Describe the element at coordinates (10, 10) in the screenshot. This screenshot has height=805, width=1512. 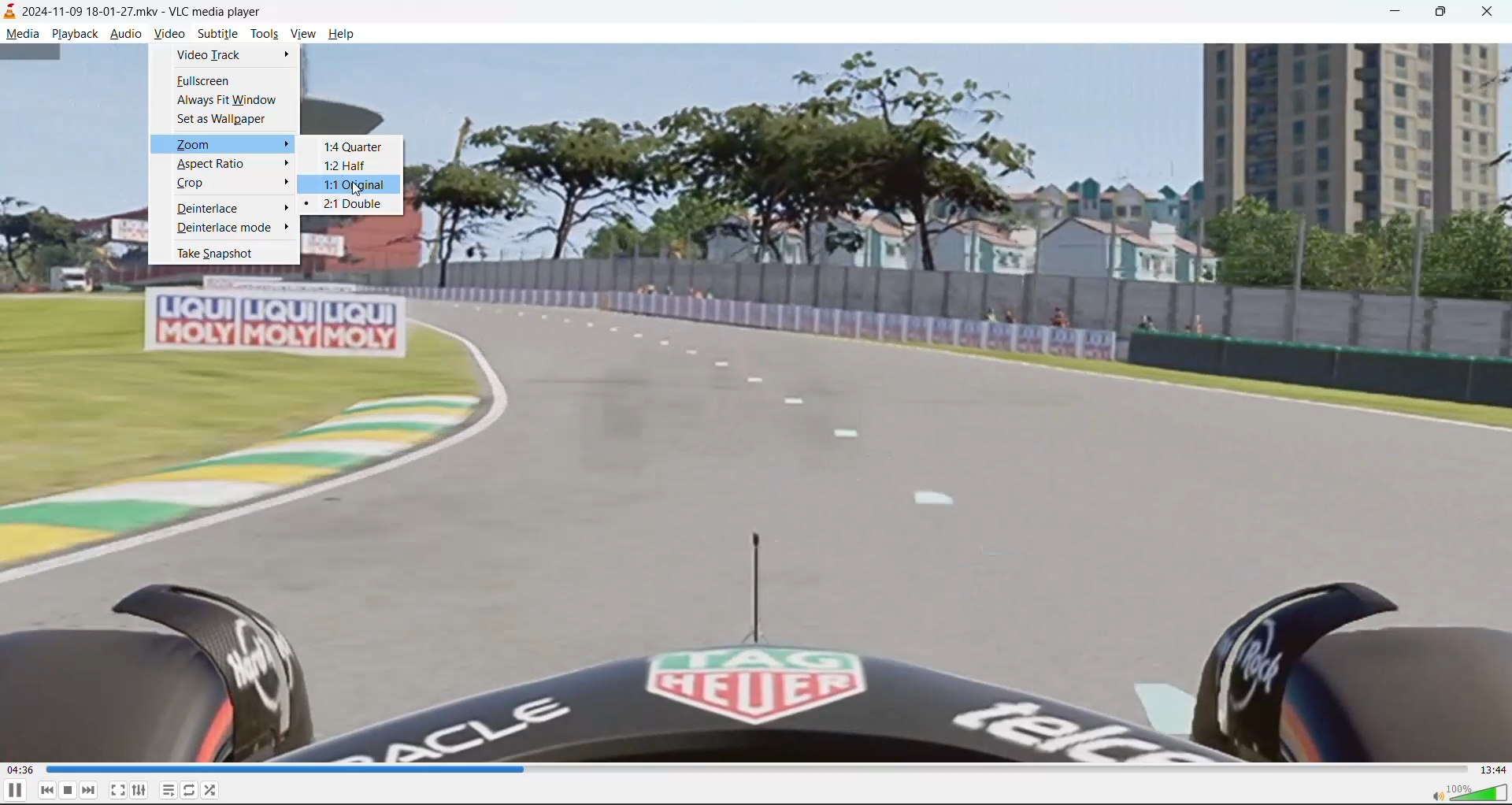
I see `icon` at that location.